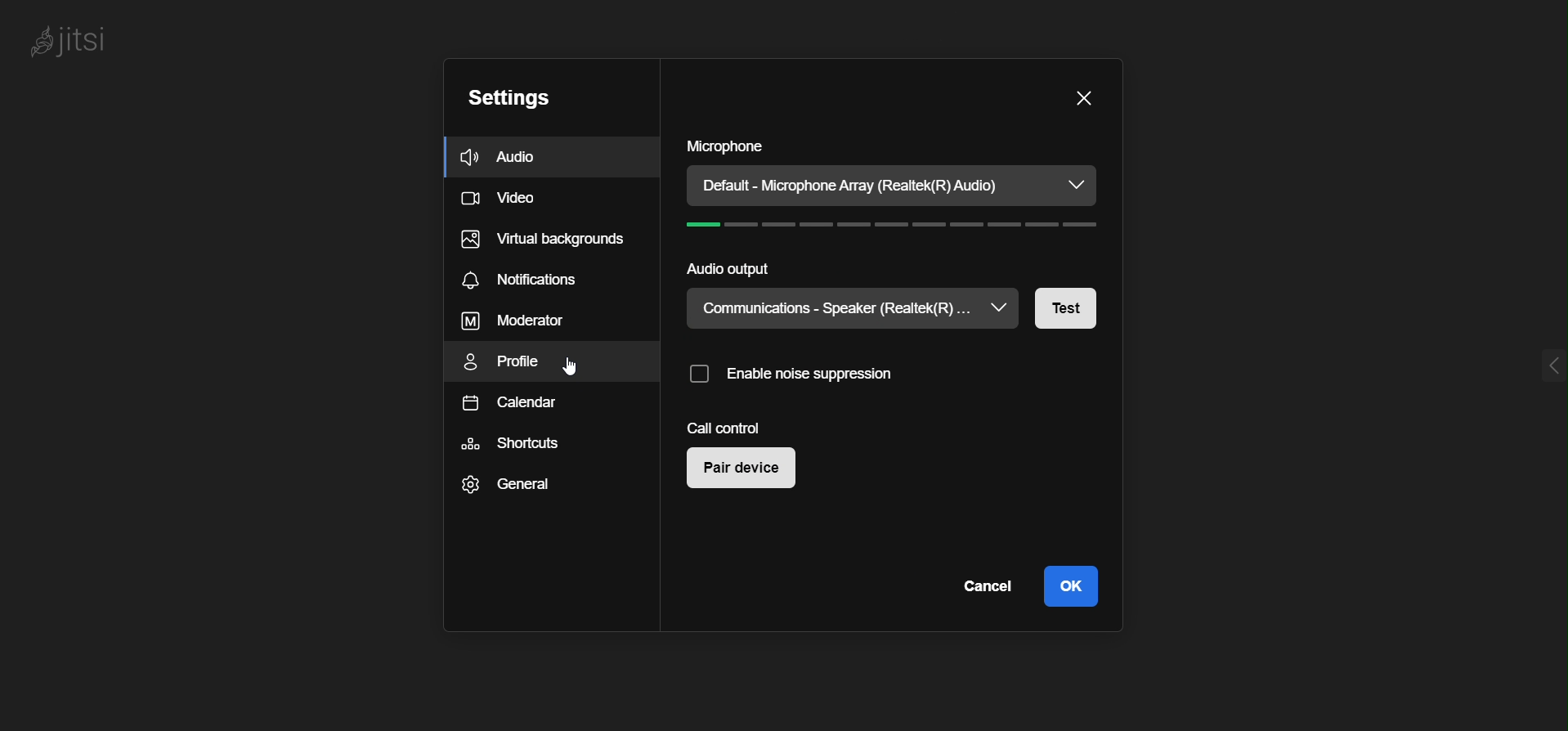 The width and height of the screenshot is (1568, 731). I want to click on logo, so click(86, 41).